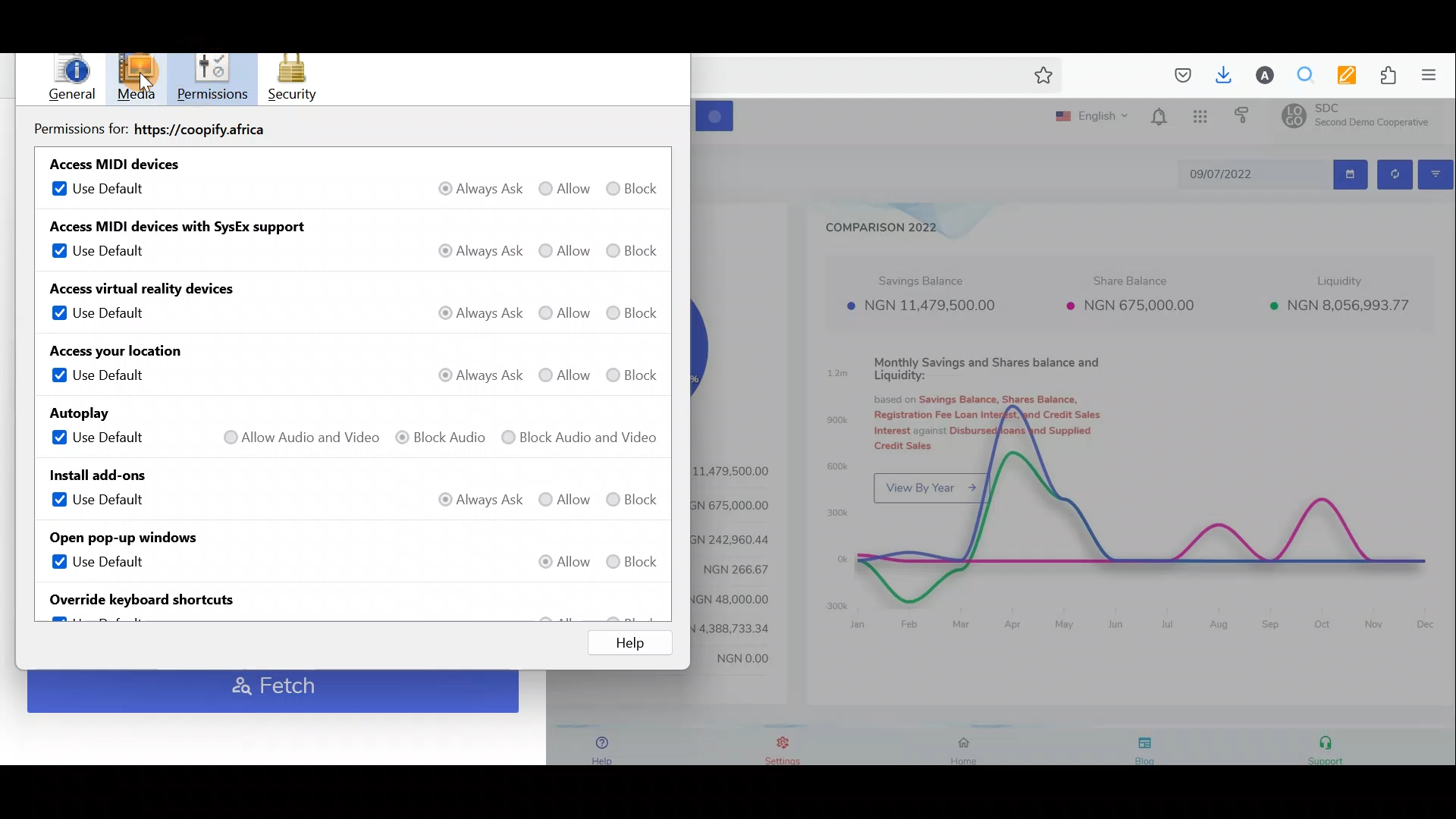 Image resolution: width=1456 pixels, height=819 pixels. Describe the element at coordinates (1433, 76) in the screenshot. I see `Open application menu` at that location.